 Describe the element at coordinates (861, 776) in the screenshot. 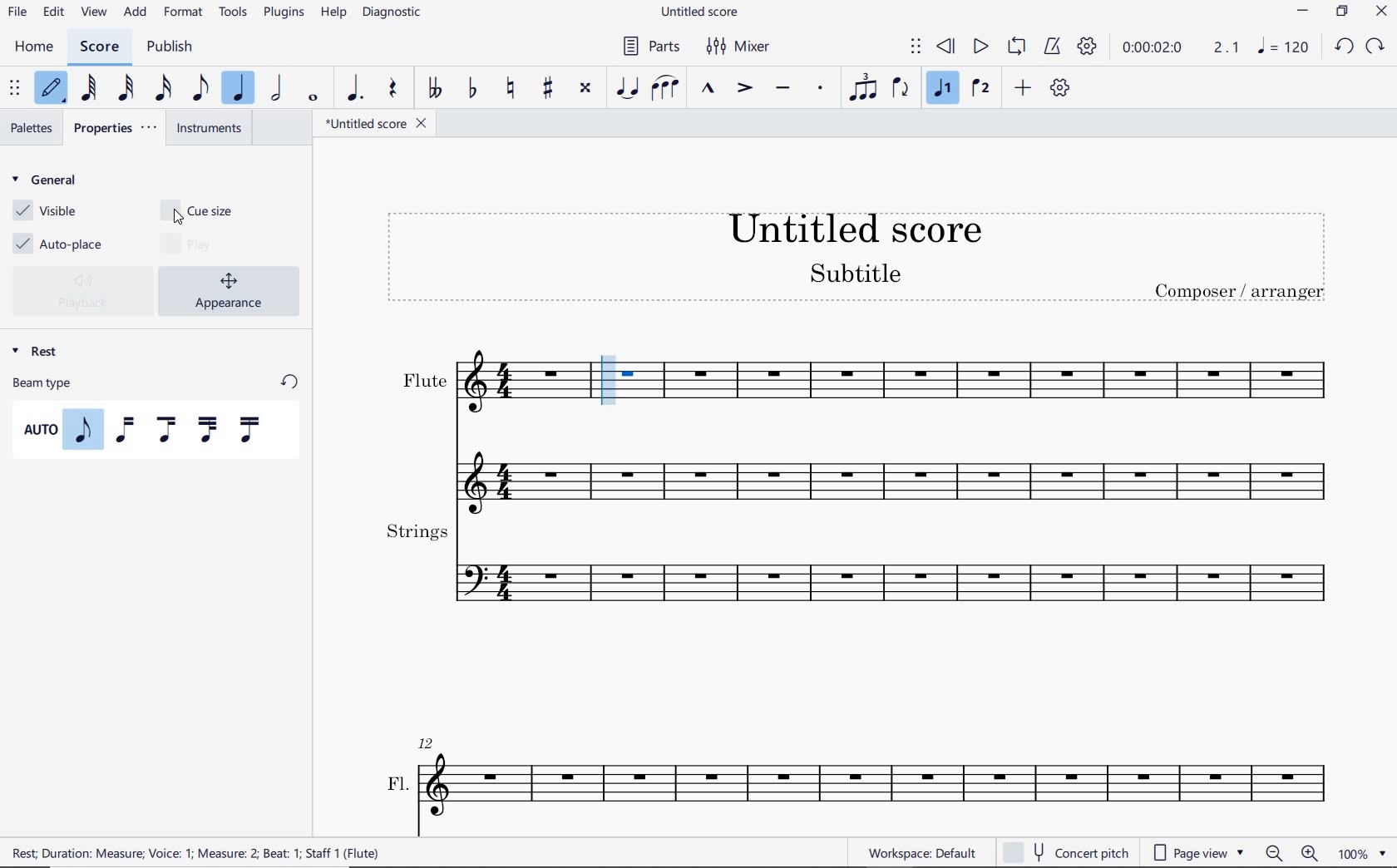

I see `fl.` at that location.